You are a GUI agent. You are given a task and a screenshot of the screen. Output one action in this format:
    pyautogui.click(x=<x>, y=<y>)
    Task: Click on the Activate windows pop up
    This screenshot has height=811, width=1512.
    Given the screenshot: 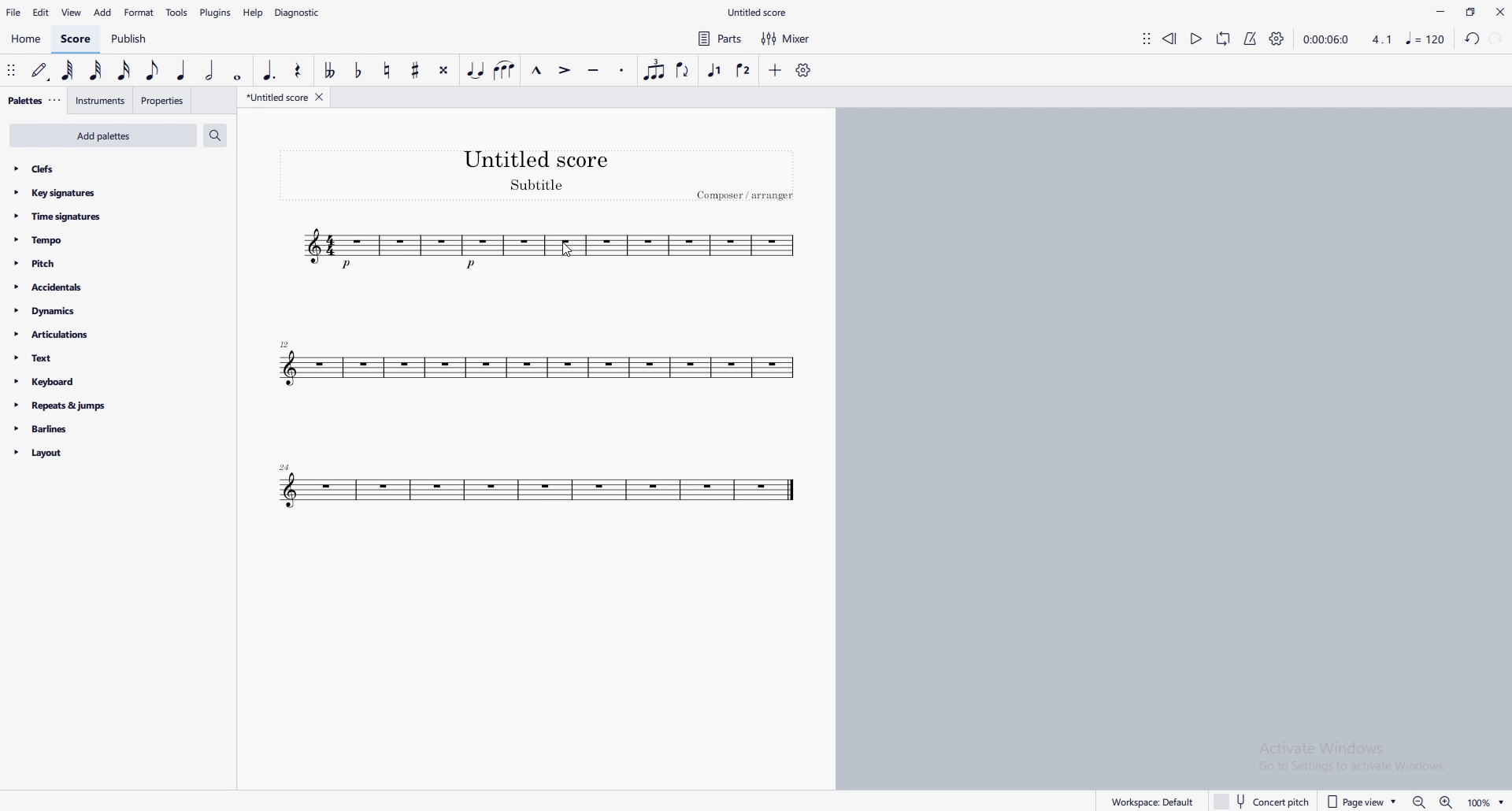 What is the action you would take?
    pyautogui.click(x=1364, y=760)
    